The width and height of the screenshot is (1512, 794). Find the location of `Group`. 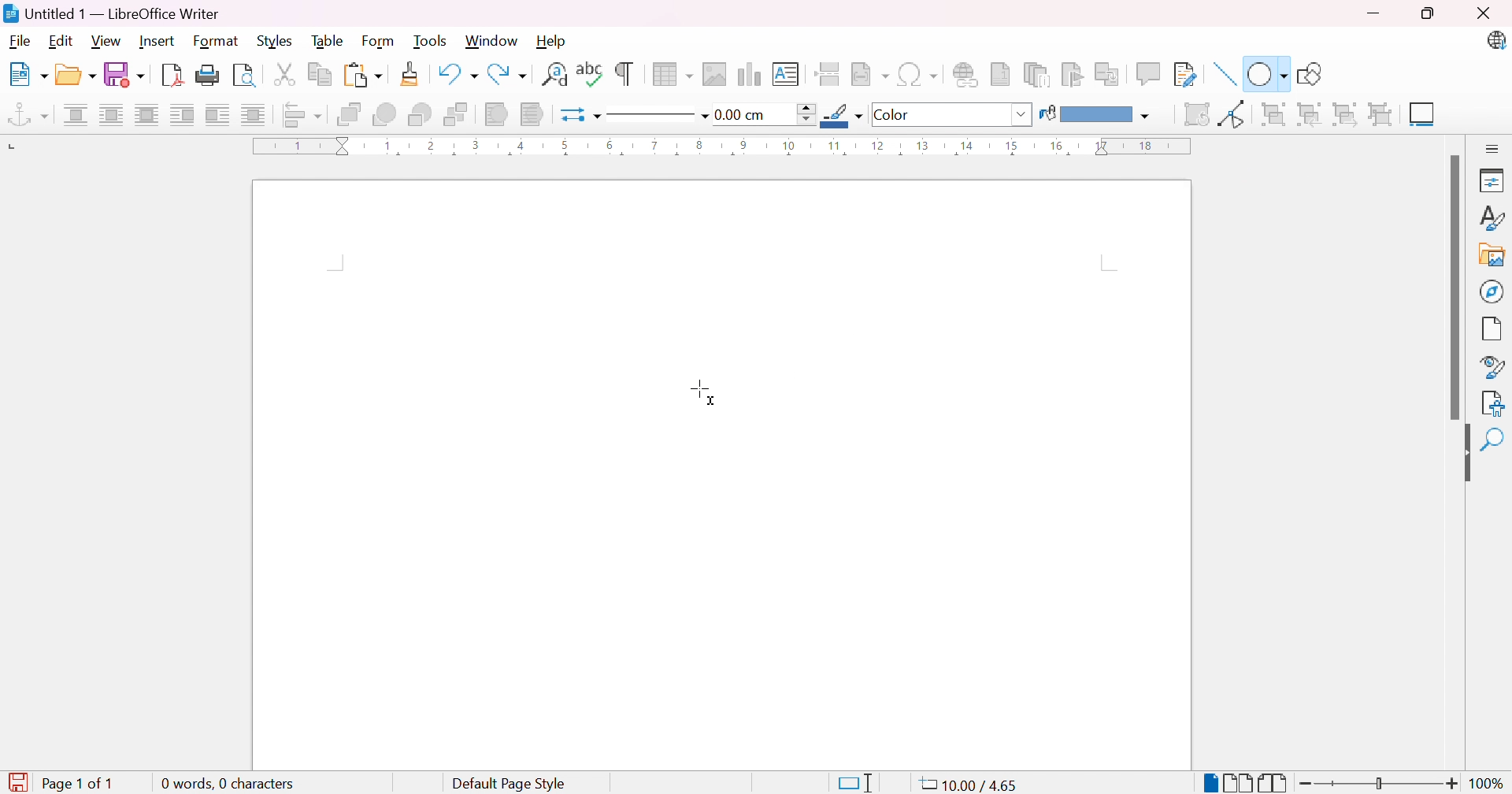

Group is located at coordinates (1271, 113).